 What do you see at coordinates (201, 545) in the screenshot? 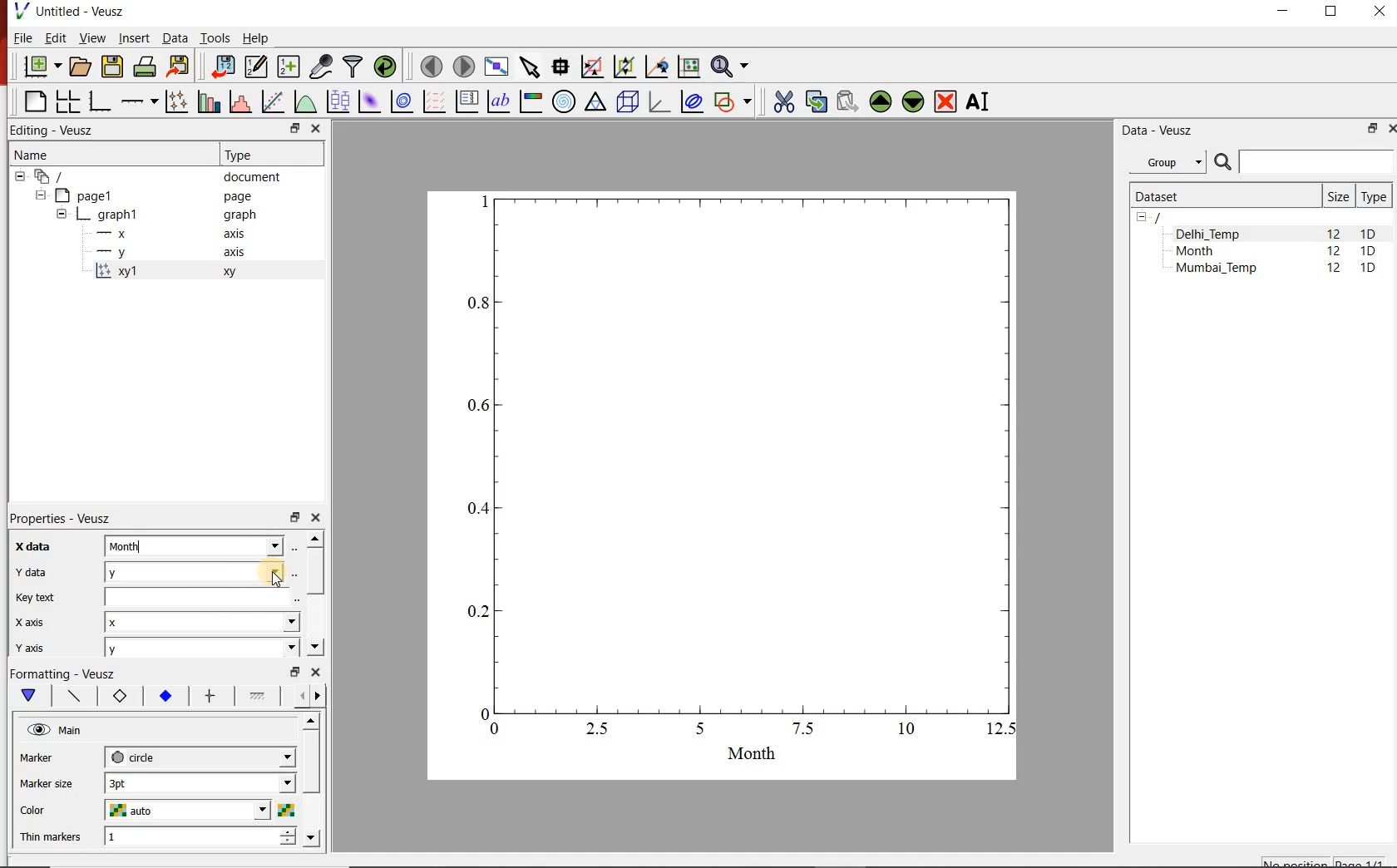
I see `month` at bounding box center [201, 545].